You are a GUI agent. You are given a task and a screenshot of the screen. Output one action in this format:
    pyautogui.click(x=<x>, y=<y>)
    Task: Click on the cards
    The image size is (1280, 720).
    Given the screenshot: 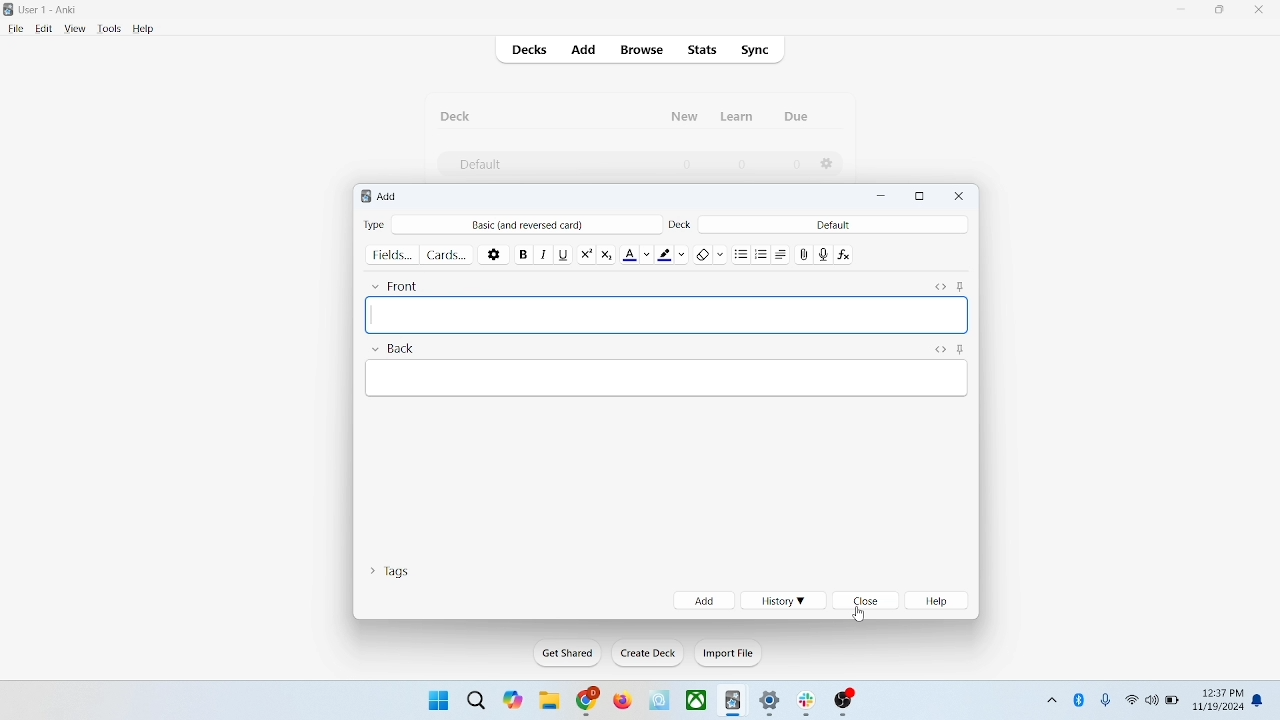 What is the action you would take?
    pyautogui.click(x=447, y=254)
    